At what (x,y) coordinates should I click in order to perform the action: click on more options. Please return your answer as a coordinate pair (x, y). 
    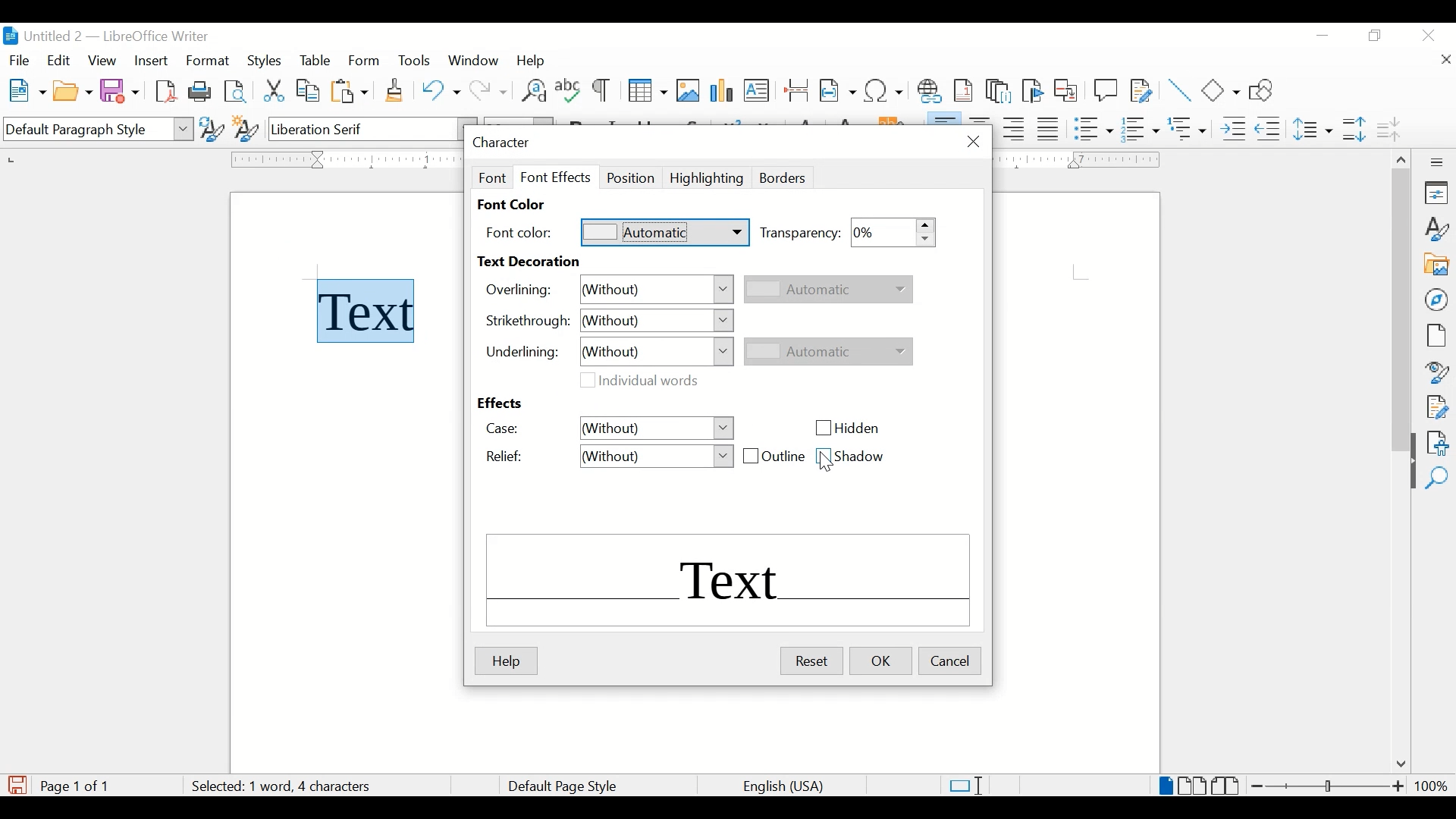
    Looking at the image, I should click on (1439, 162).